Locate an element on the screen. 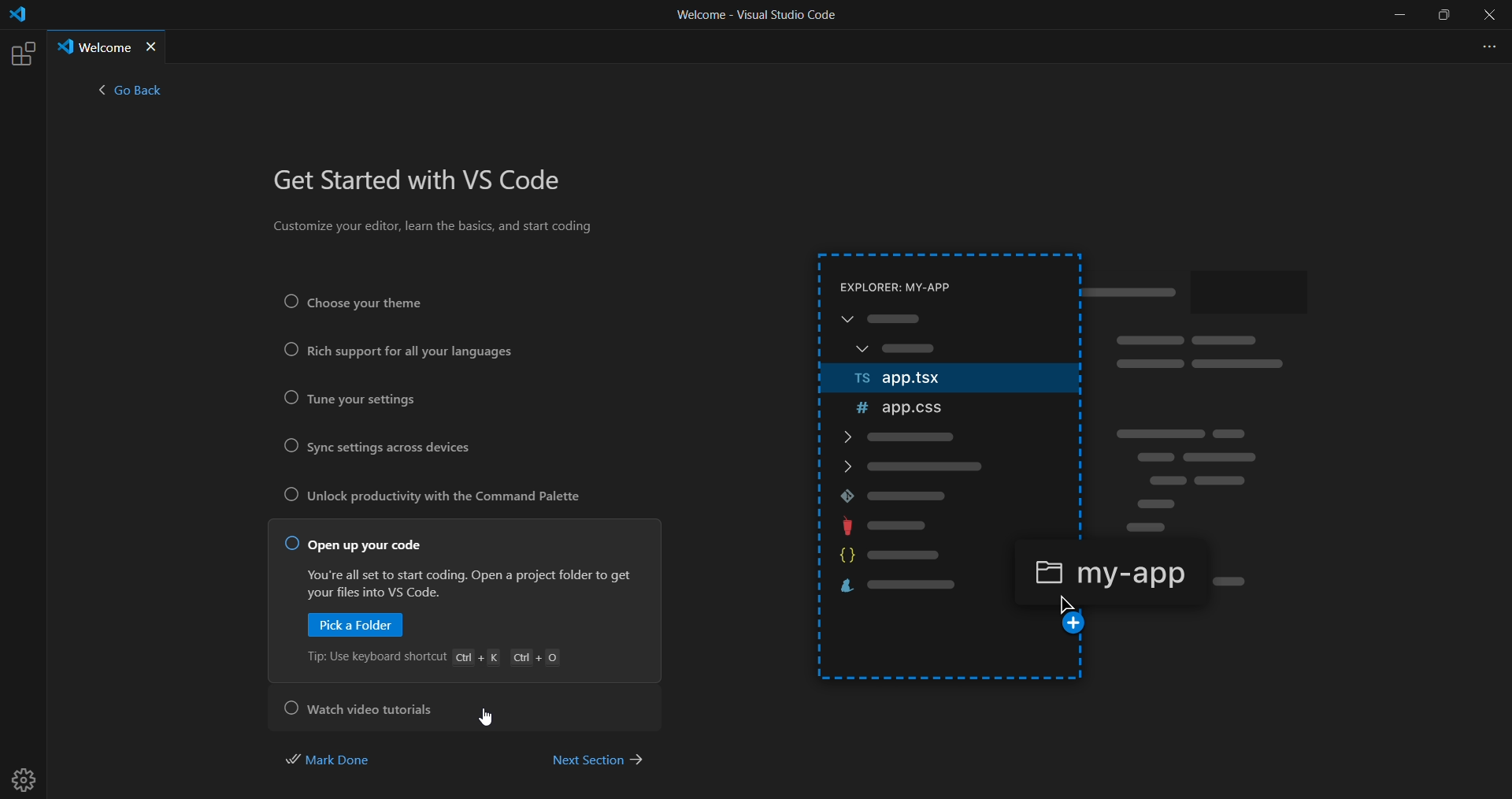 The image size is (1512, 799). sample display is located at coordinates (1214, 403).